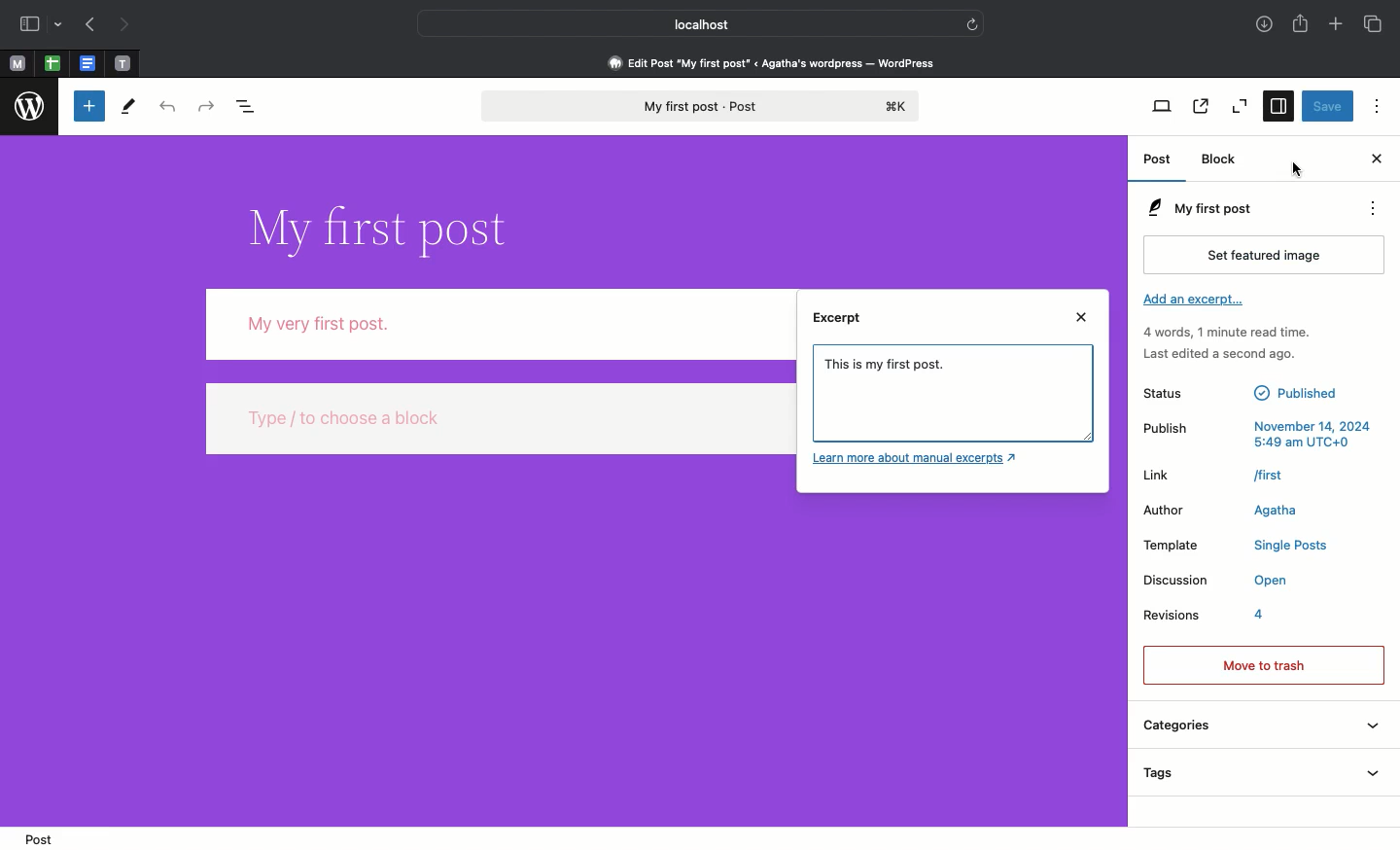 This screenshot has width=1400, height=850. Describe the element at coordinates (1374, 106) in the screenshot. I see `Options` at that location.